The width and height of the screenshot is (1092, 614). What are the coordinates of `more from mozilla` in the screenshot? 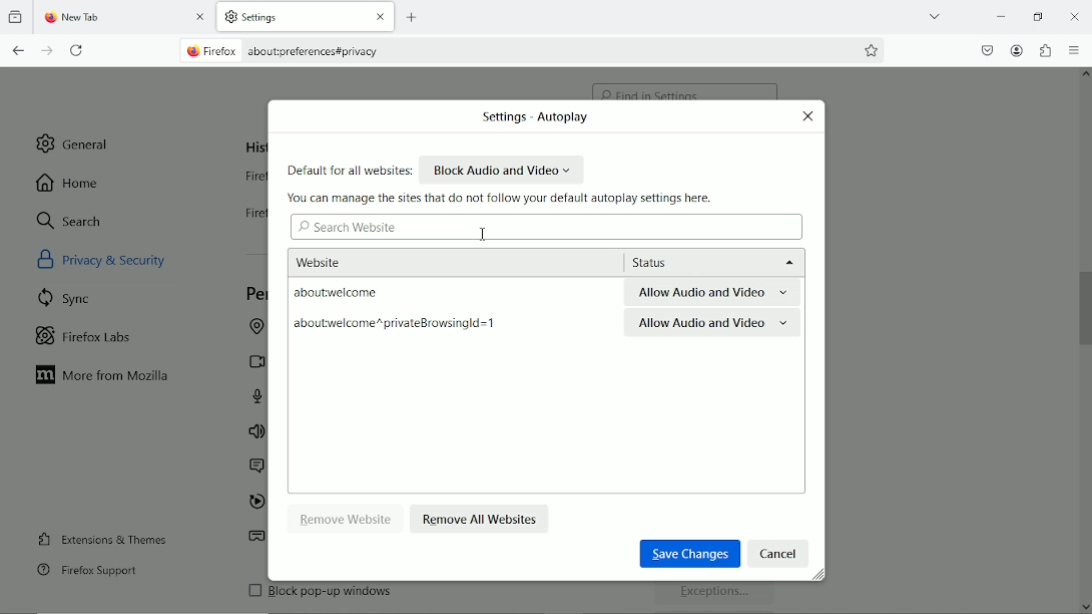 It's located at (104, 376).